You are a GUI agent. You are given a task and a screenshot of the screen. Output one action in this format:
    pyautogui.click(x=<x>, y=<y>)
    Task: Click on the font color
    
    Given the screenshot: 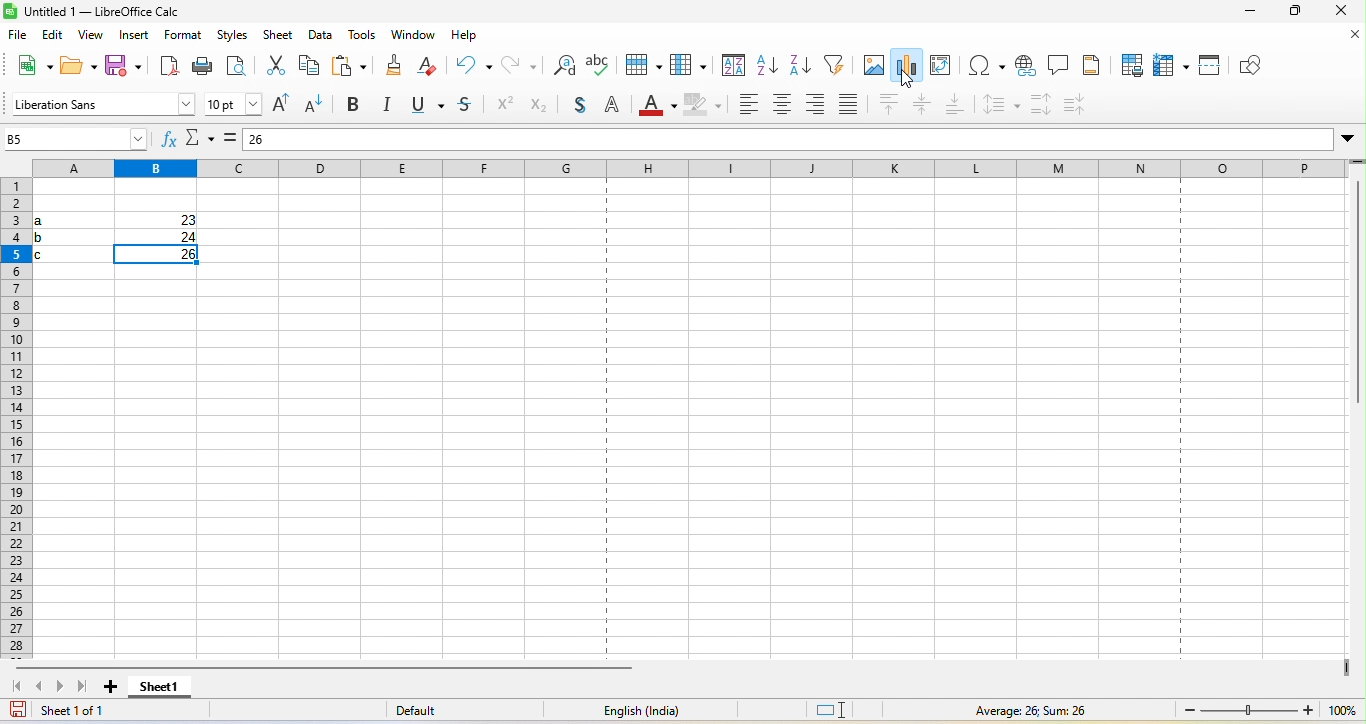 What is the action you would take?
    pyautogui.click(x=653, y=106)
    